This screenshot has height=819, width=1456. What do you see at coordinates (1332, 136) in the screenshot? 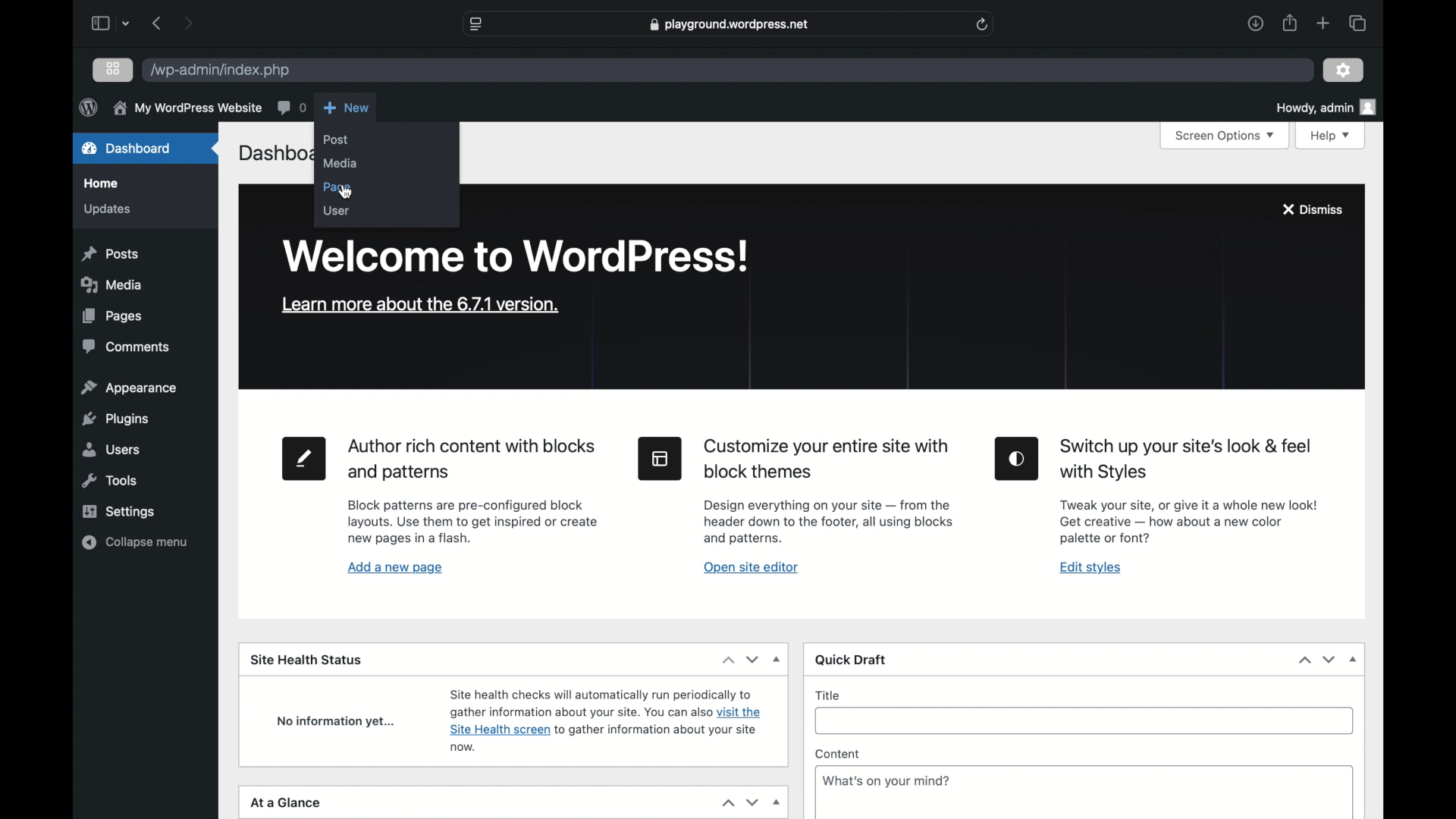
I see `help` at bounding box center [1332, 136].